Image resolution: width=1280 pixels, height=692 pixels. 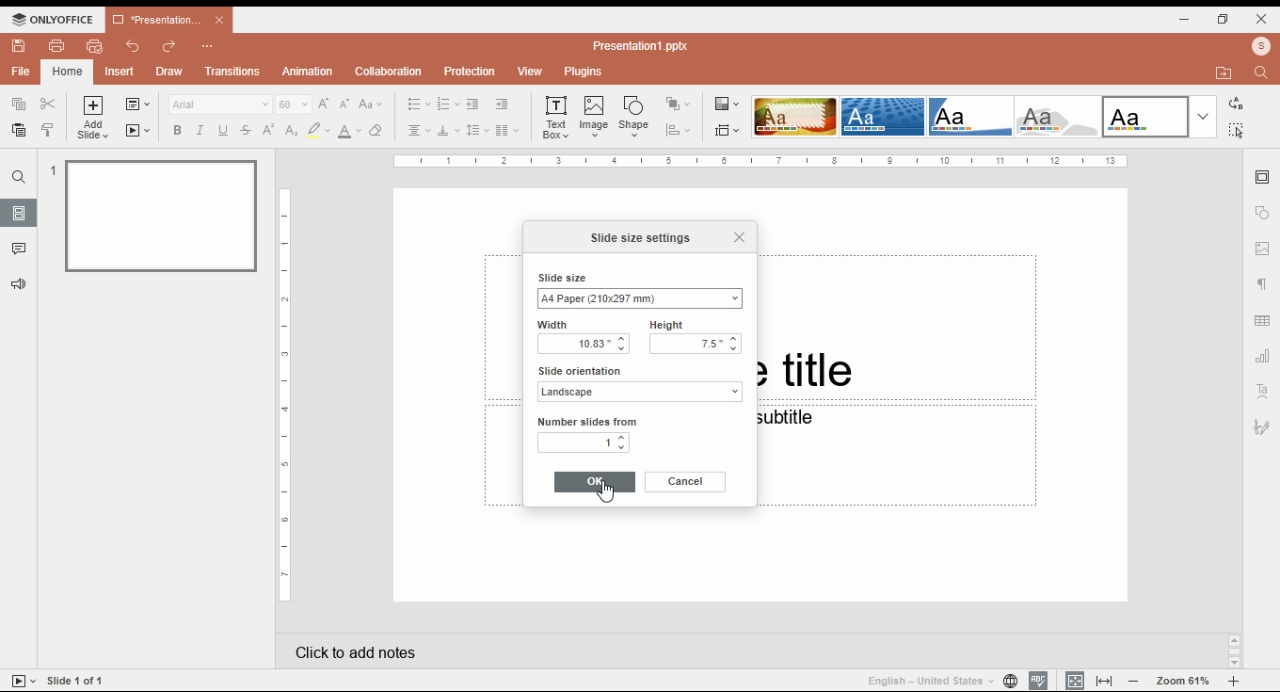 What do you see at coordinates (57, 46) in the screenshot?
I see `print file` at bounding box center [57, 46].